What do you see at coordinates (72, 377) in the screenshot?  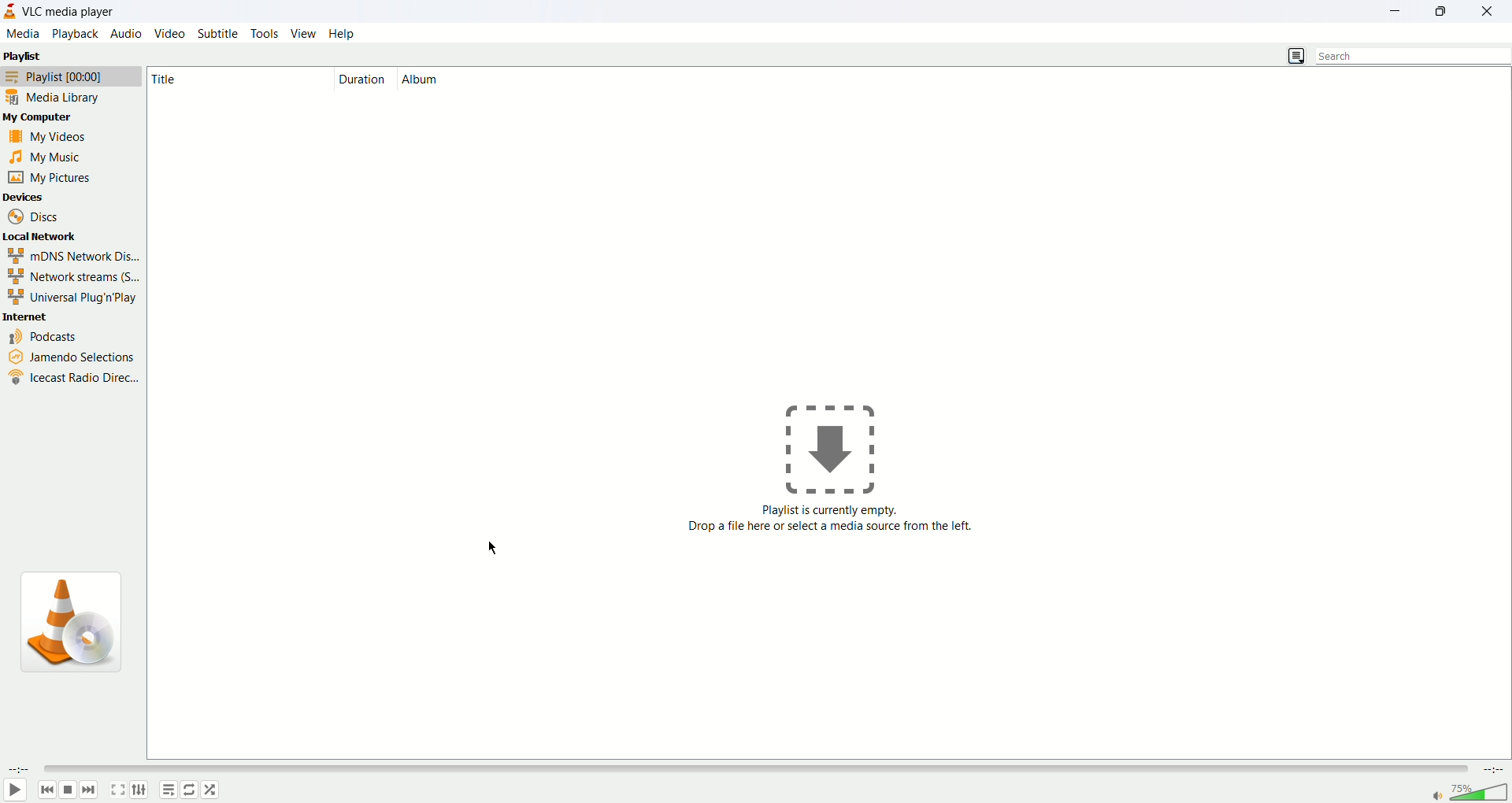 I see `icecast radio` at bounding box center [72, 377].